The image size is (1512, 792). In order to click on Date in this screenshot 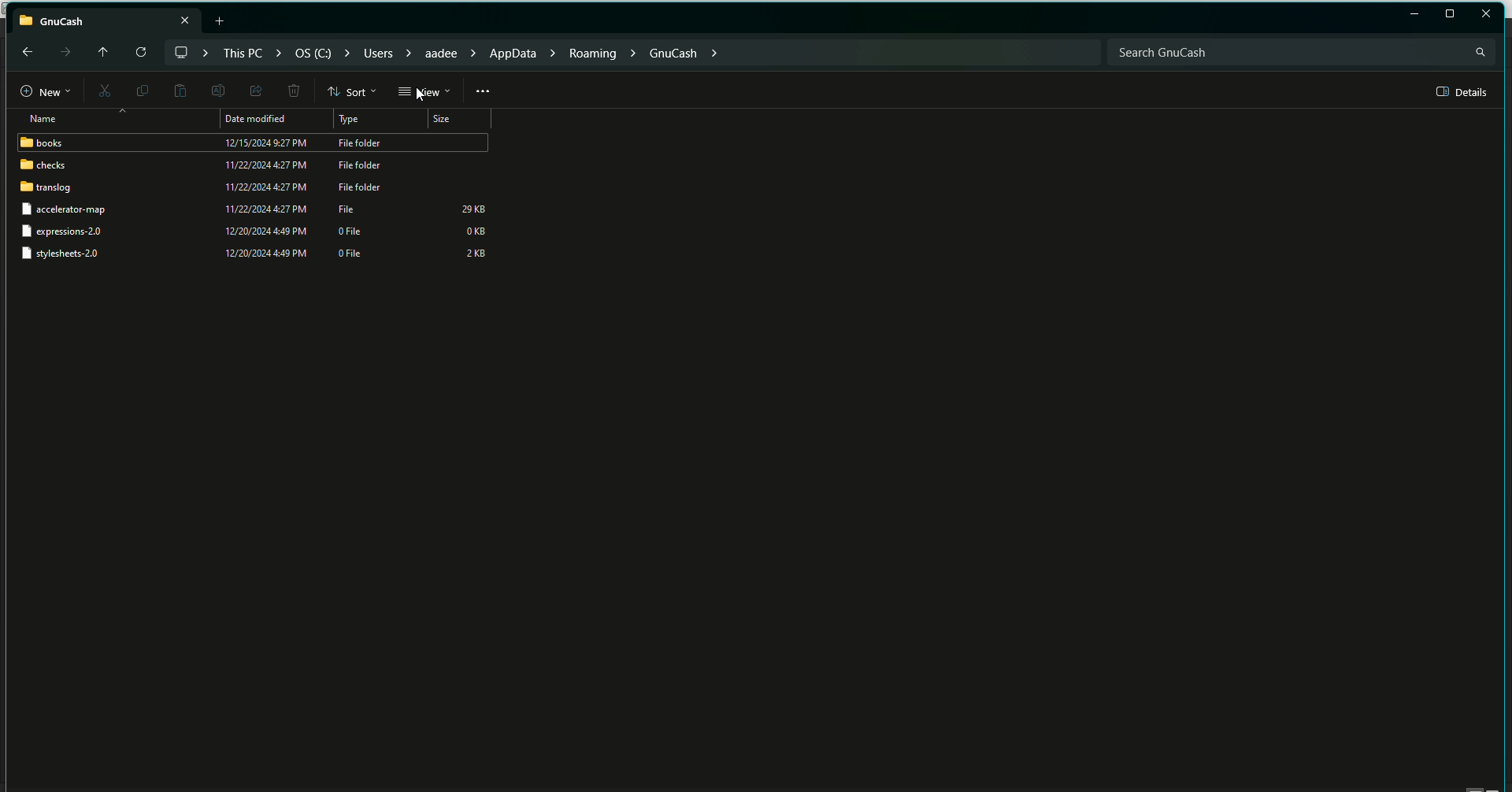, I will do `click(263, 233)`.